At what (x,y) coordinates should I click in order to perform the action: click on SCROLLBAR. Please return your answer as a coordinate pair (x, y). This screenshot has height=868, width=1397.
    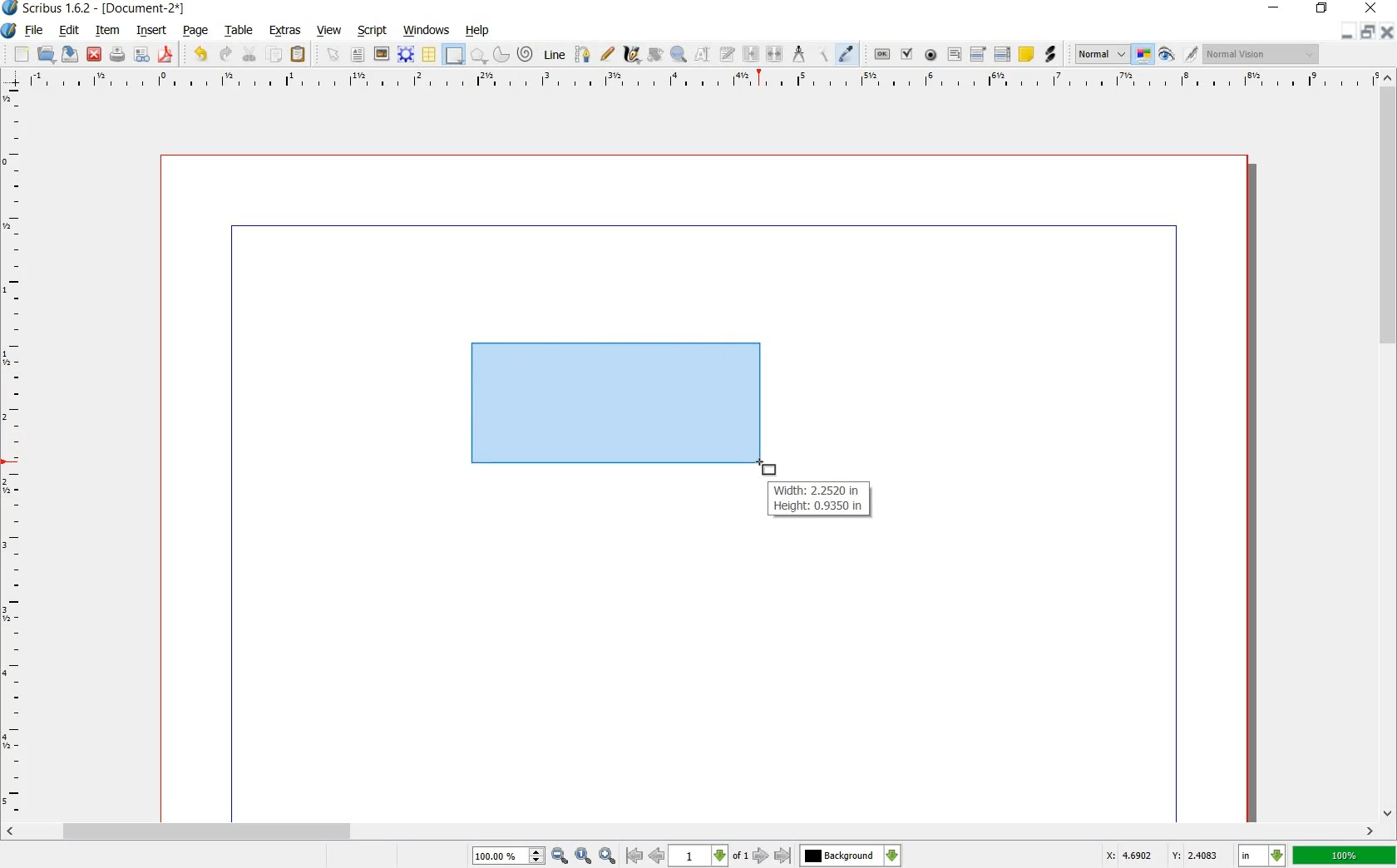
    Looking at the image, I should click on (1389, 446).